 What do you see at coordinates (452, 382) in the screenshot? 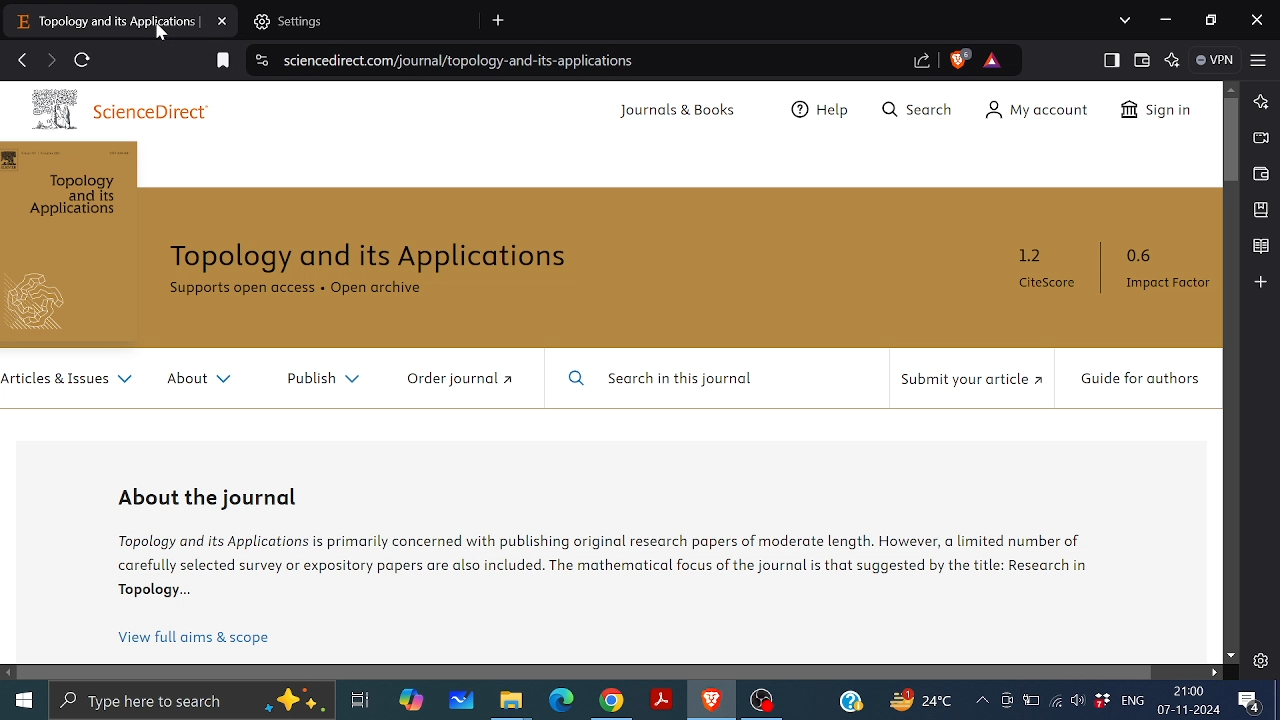
I see `Order journal ` at bounding box center [452, 382].